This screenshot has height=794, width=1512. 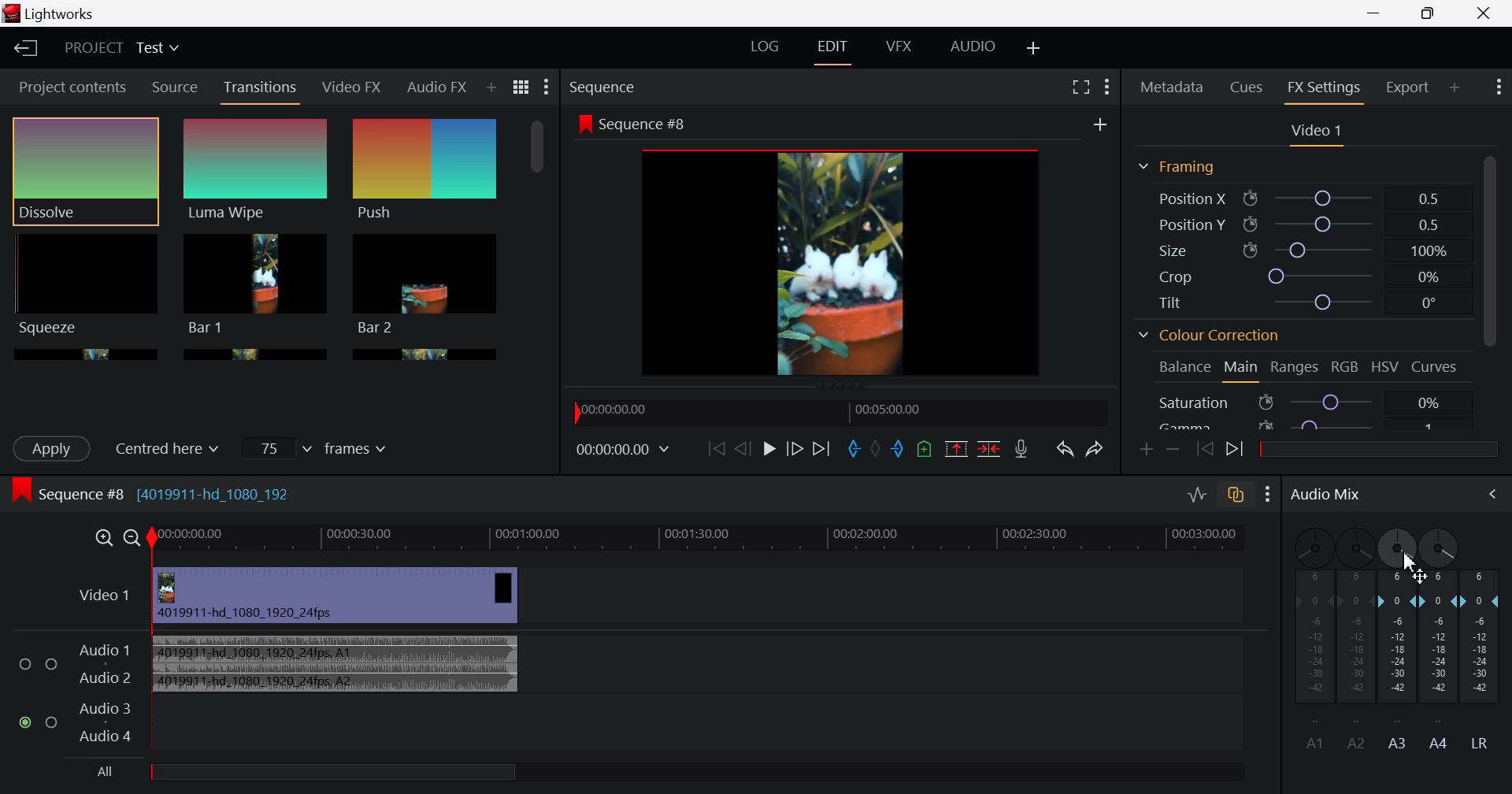 I want to click on Bar 1, so click(x=425, y=284).